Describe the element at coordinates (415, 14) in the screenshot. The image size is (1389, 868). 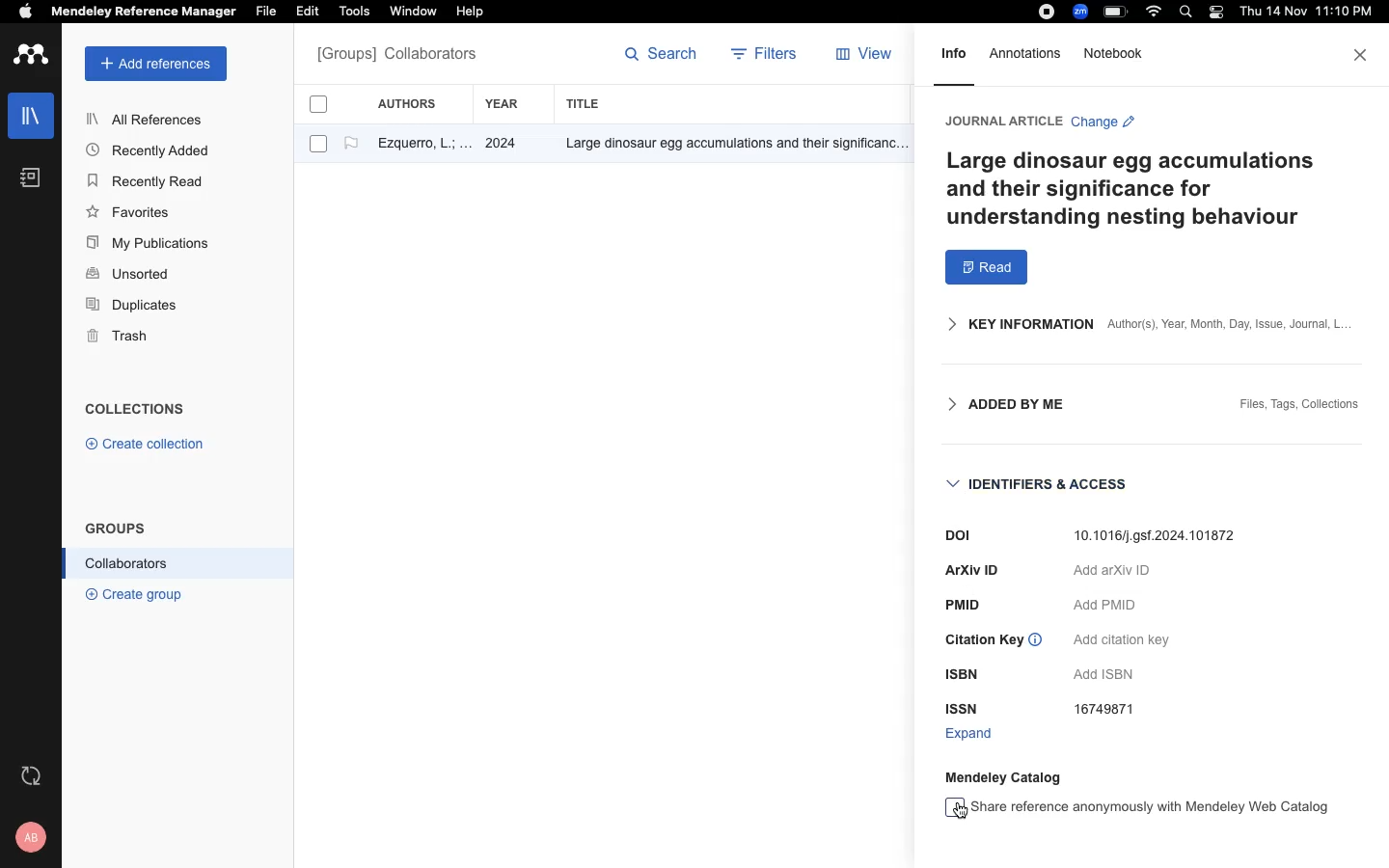
I see `‘Window` at that location.